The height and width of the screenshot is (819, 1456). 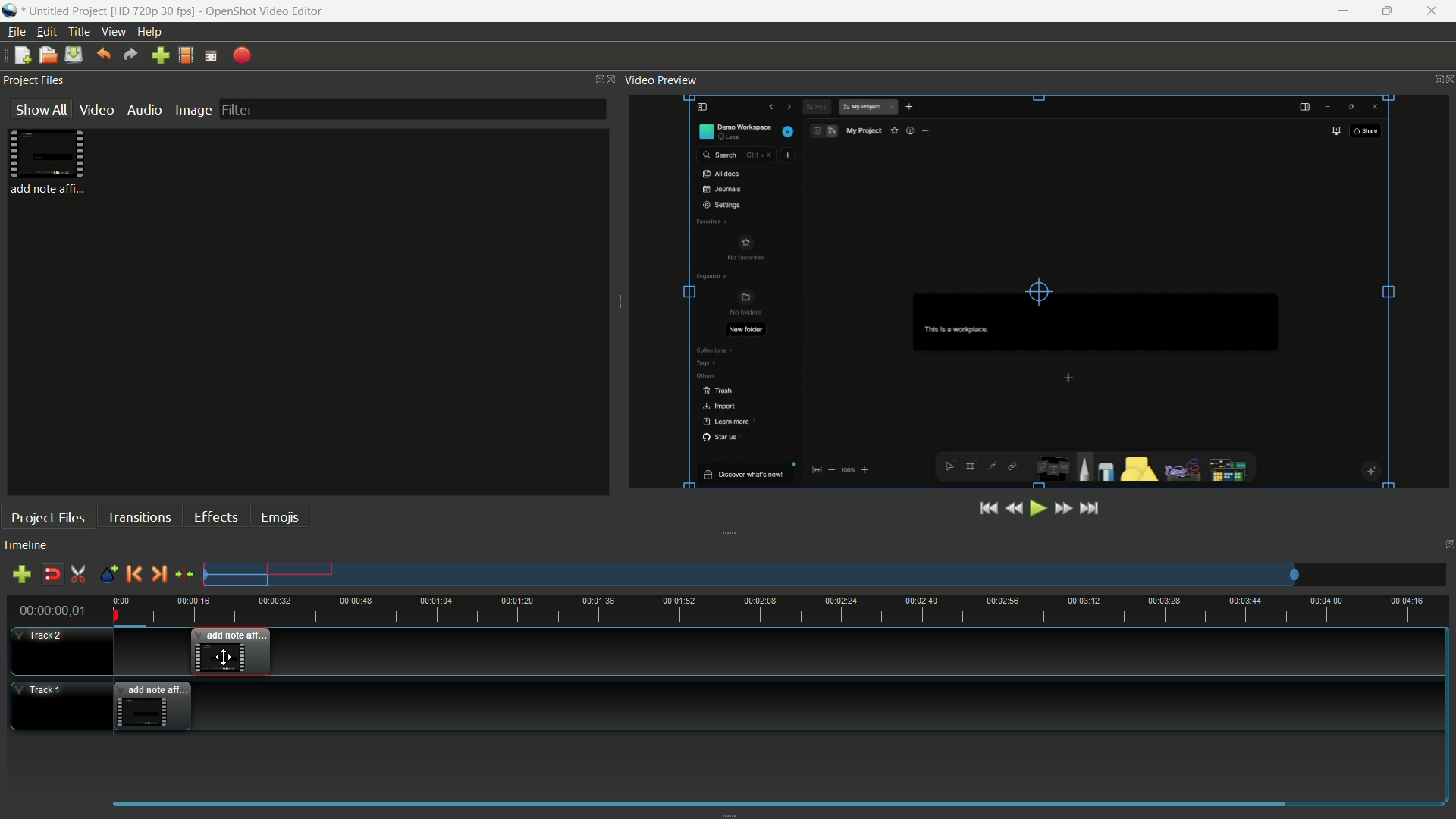 What do you see at coordinates (139, 516) in the screenshot?
I see `transactions` at bounding box center [139, 516].